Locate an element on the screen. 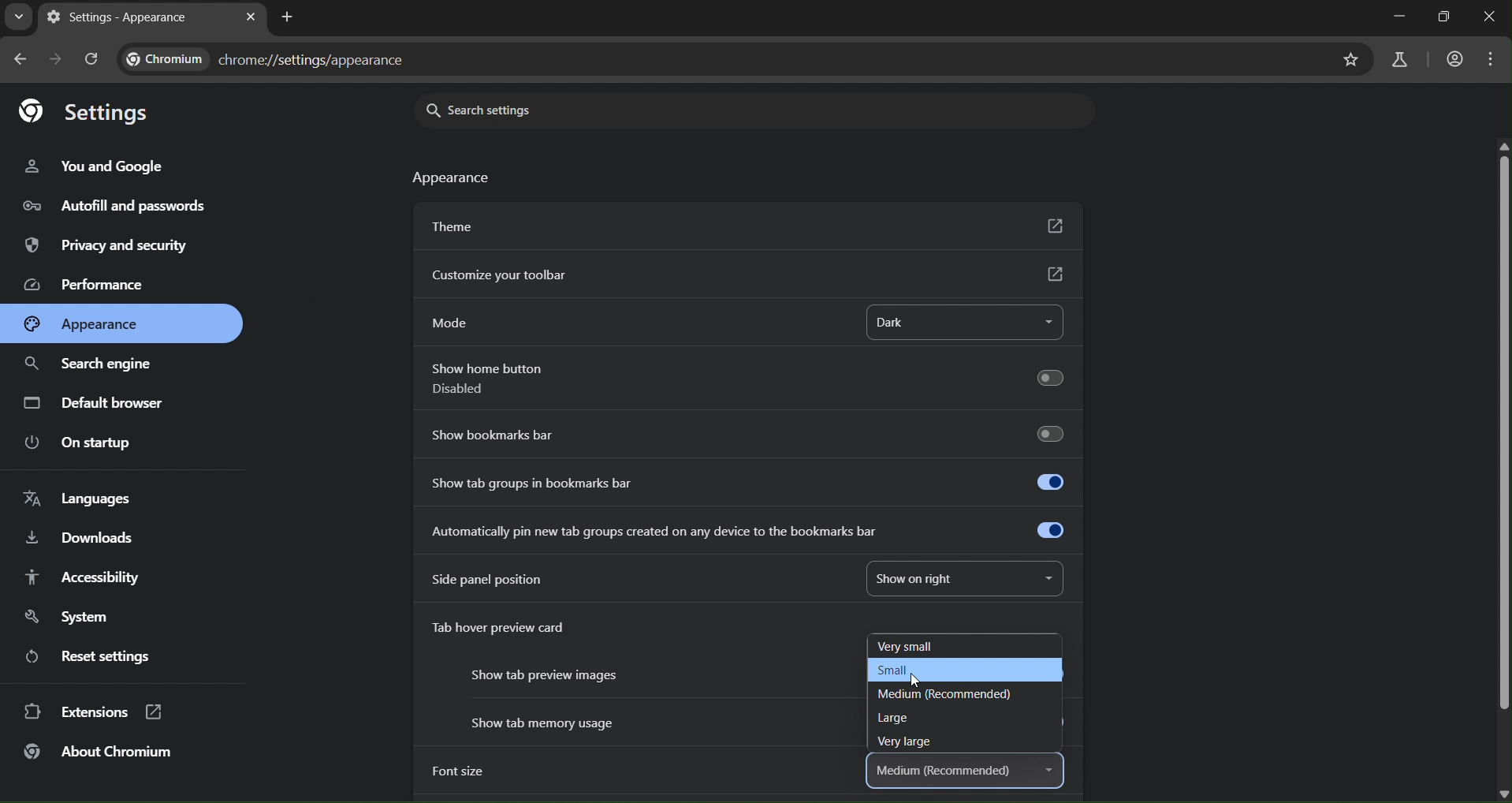 This screenshot has width=1512, height=803. show bookmarks bar is located at coordinates (747, 434).